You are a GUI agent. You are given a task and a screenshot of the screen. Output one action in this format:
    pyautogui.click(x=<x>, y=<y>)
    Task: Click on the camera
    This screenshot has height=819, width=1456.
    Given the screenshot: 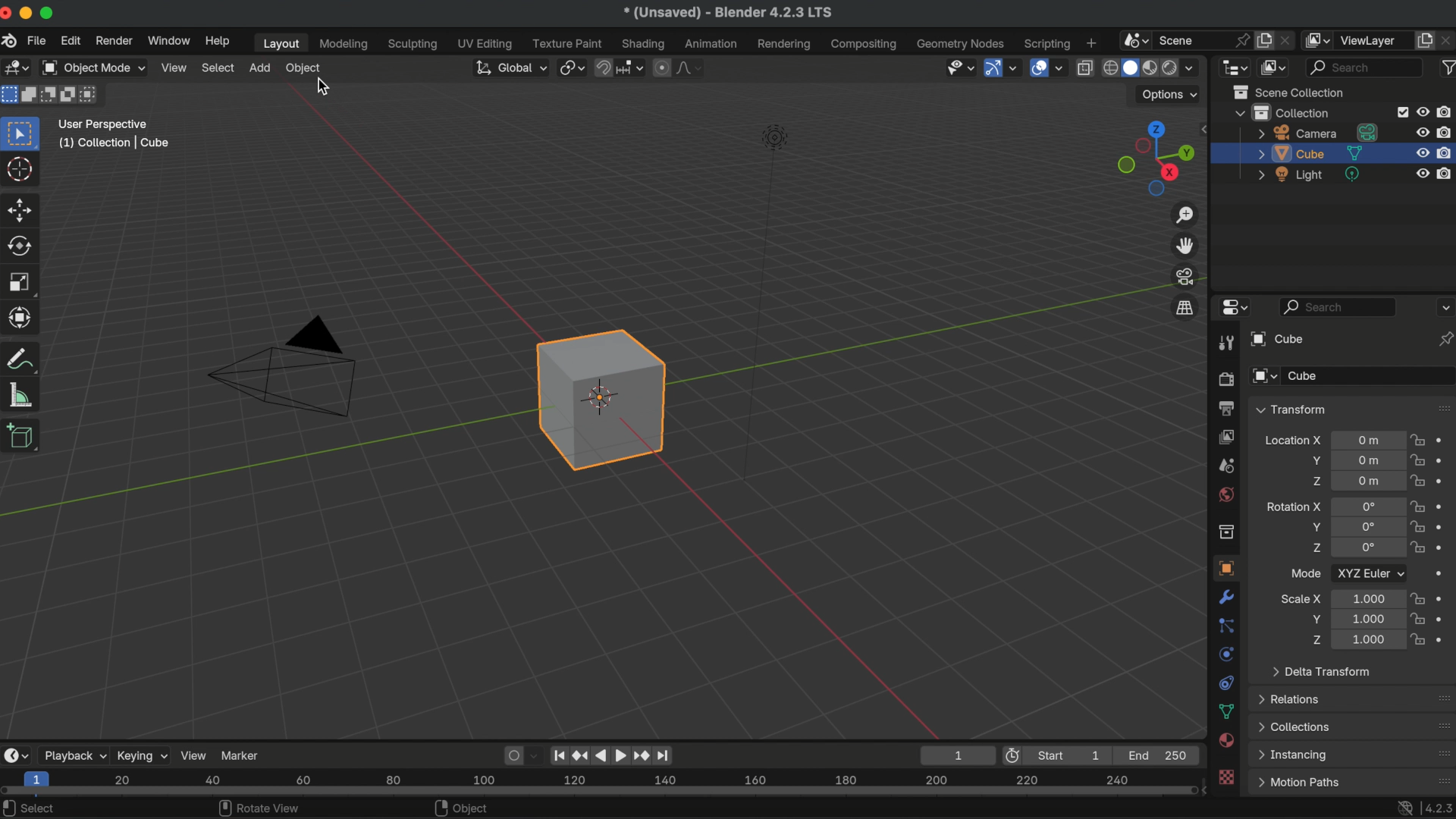 What is the action you would take?
    pyautogui.click(x=1319, y=133)
    